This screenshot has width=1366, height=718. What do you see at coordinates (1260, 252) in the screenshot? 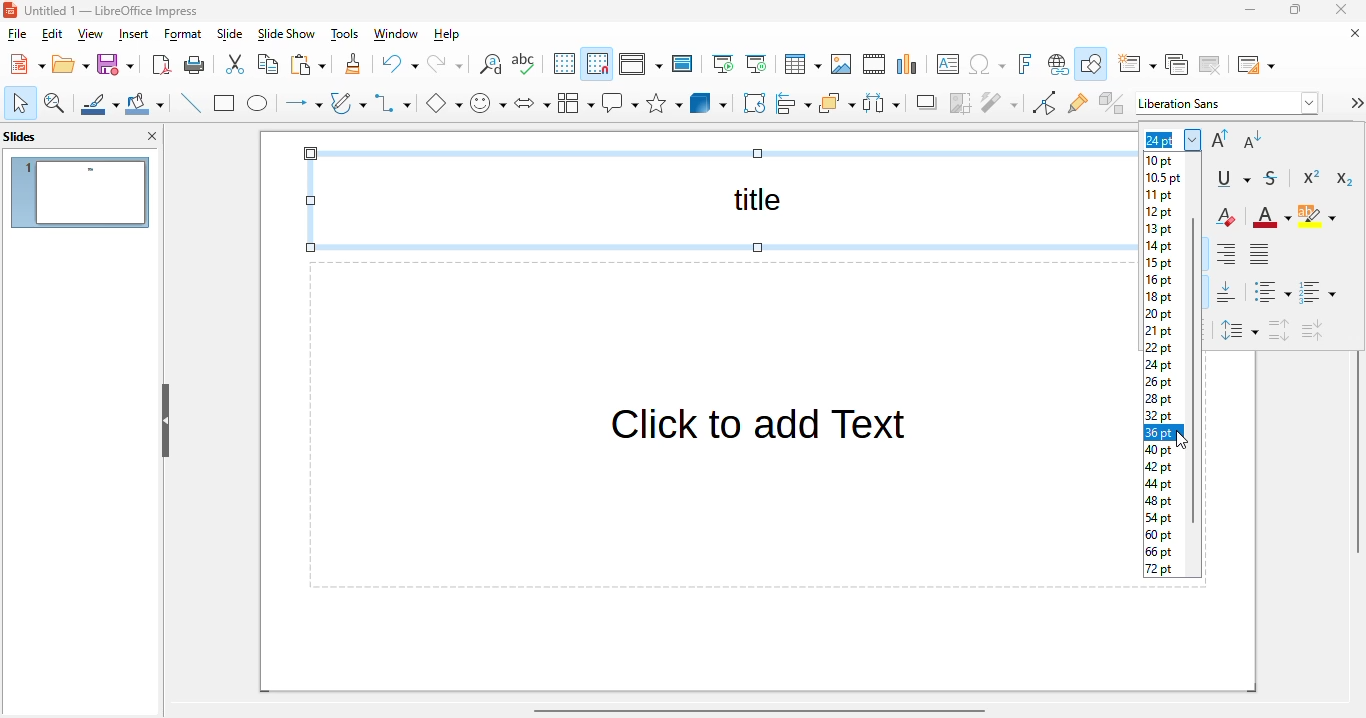
I see `justified` at bounding box center [1260, 252].